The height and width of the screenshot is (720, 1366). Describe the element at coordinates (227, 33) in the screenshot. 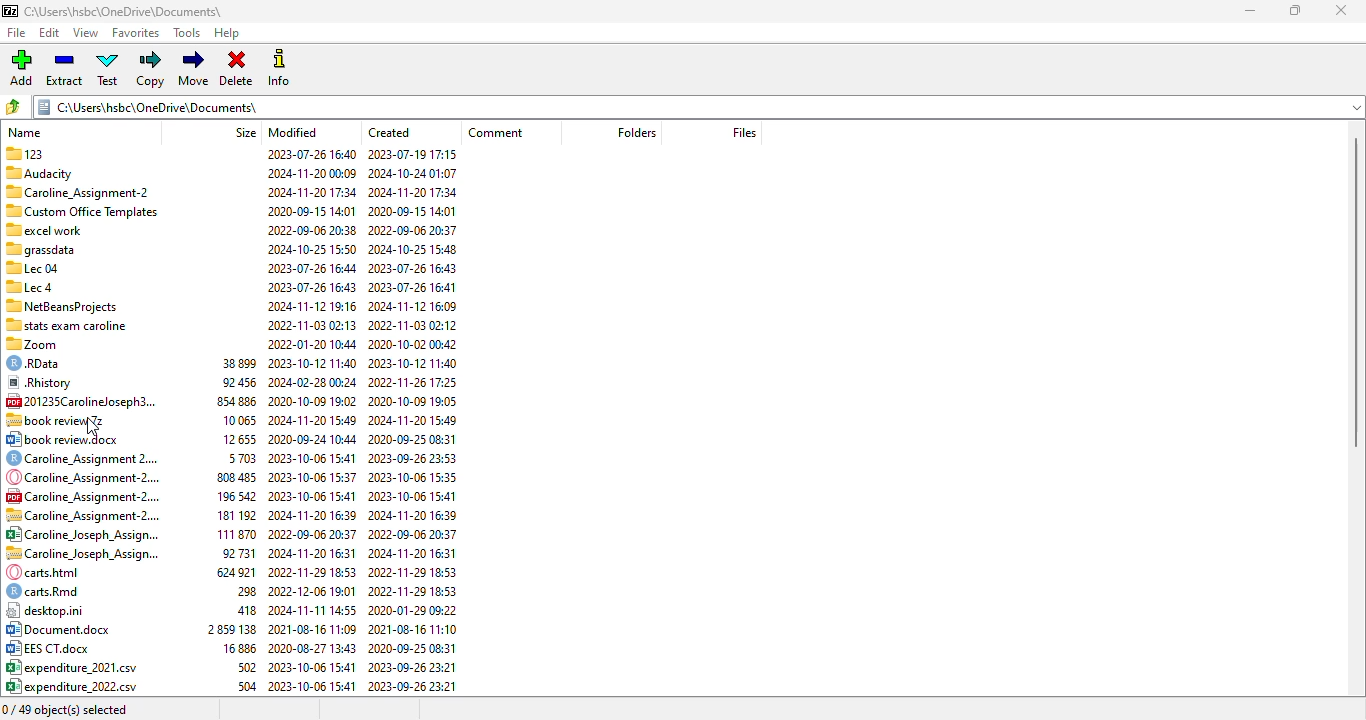

I see `help` at that location.